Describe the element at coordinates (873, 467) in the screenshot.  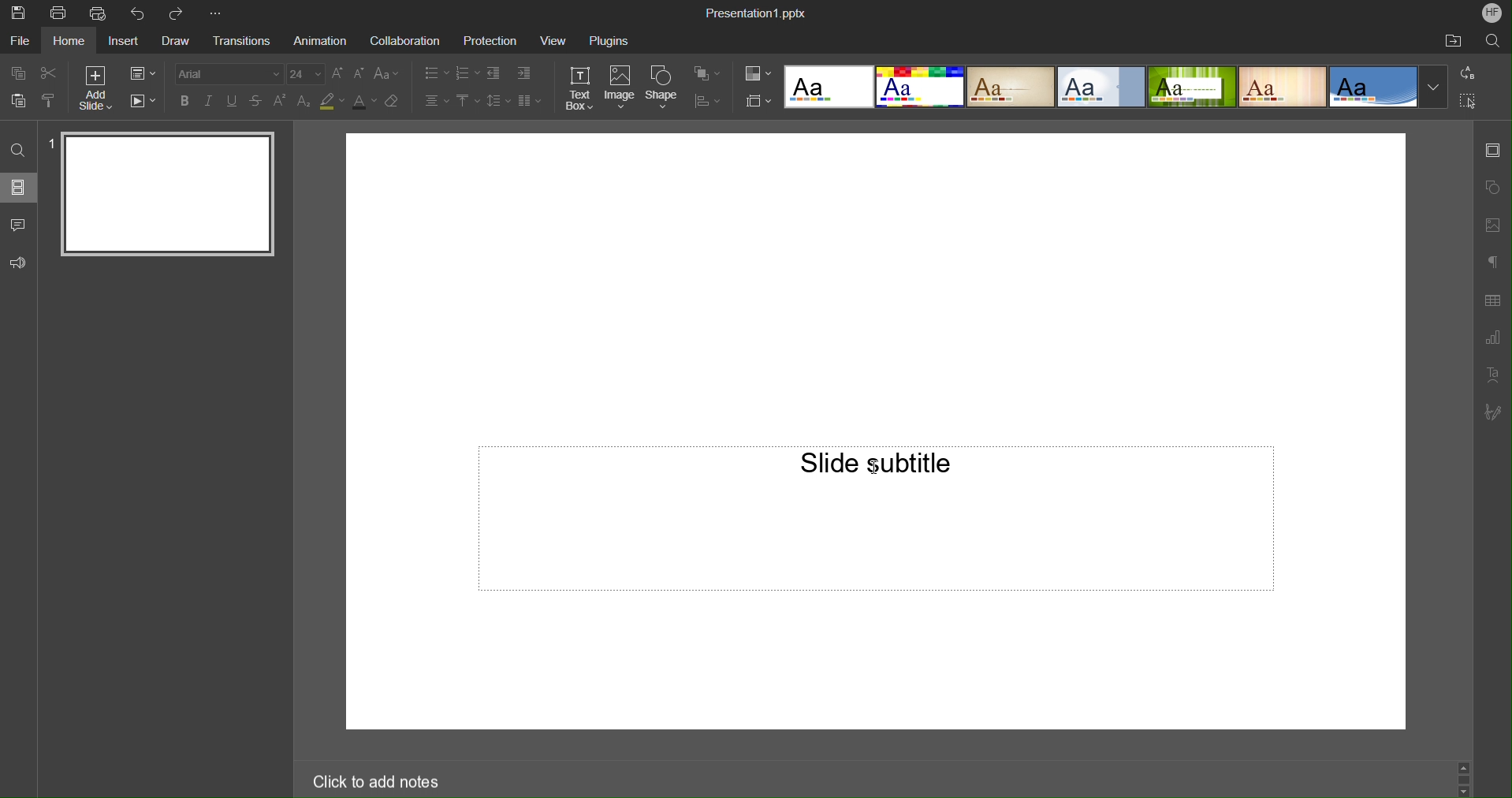
I see `insertion cursor` at that location.